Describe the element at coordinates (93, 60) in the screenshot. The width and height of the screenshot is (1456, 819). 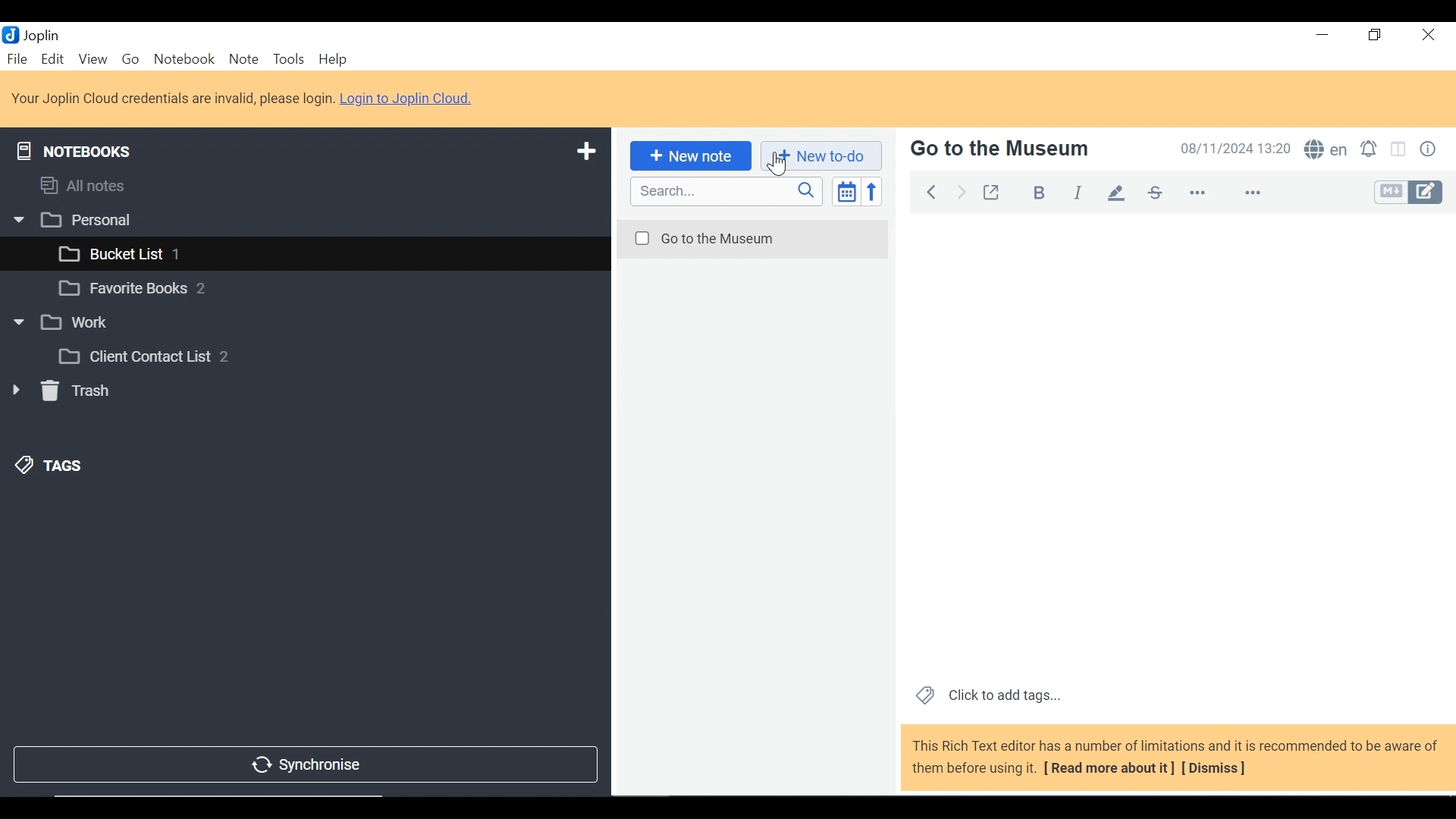
I see `View` at that location.